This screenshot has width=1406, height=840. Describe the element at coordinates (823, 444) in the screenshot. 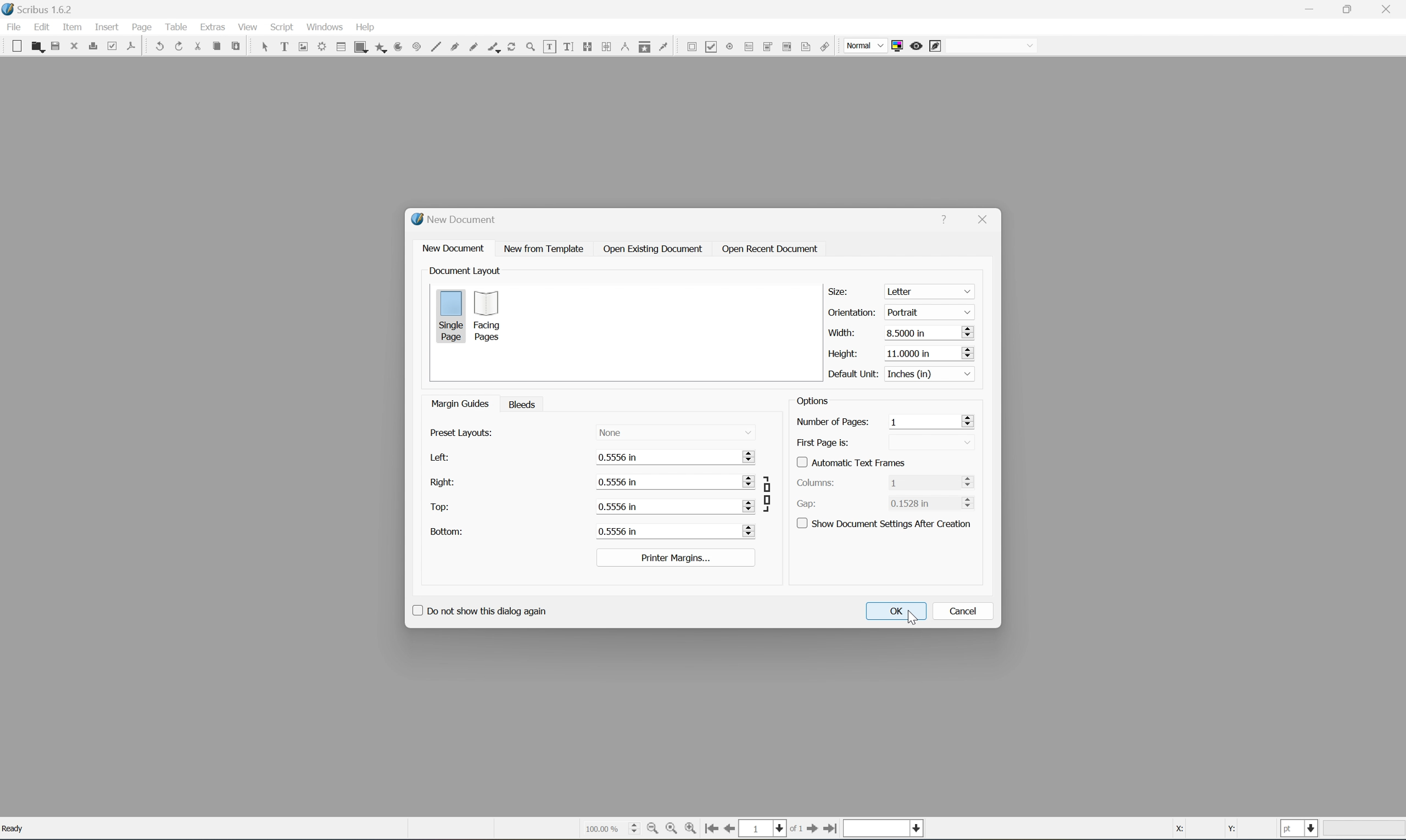

I see `first page is` at that location.